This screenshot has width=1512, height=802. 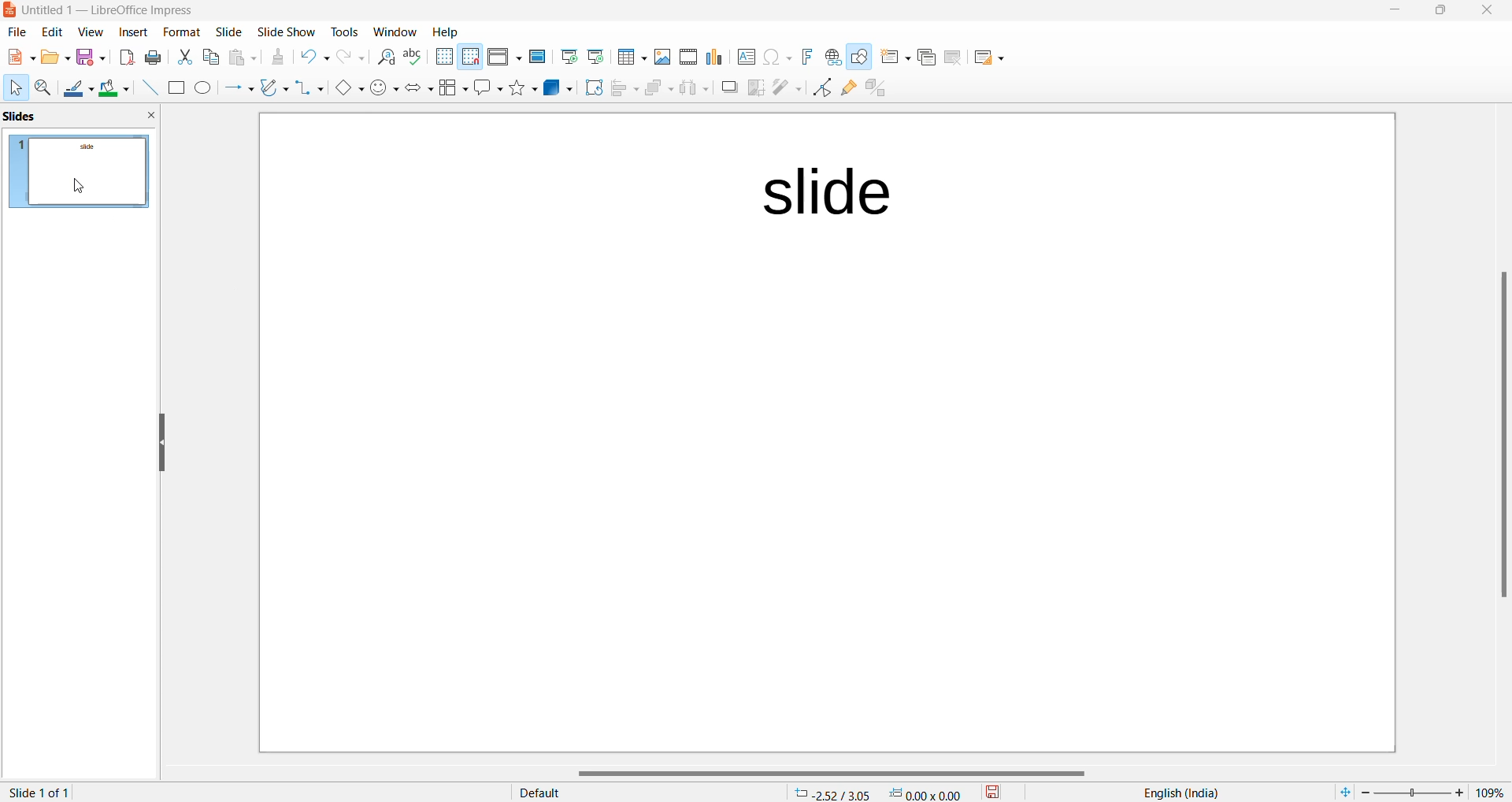 What do you see at coordinates (44, 91) in the screenshot?
I see `zoom and pan ` at bounding box center [44, 91].